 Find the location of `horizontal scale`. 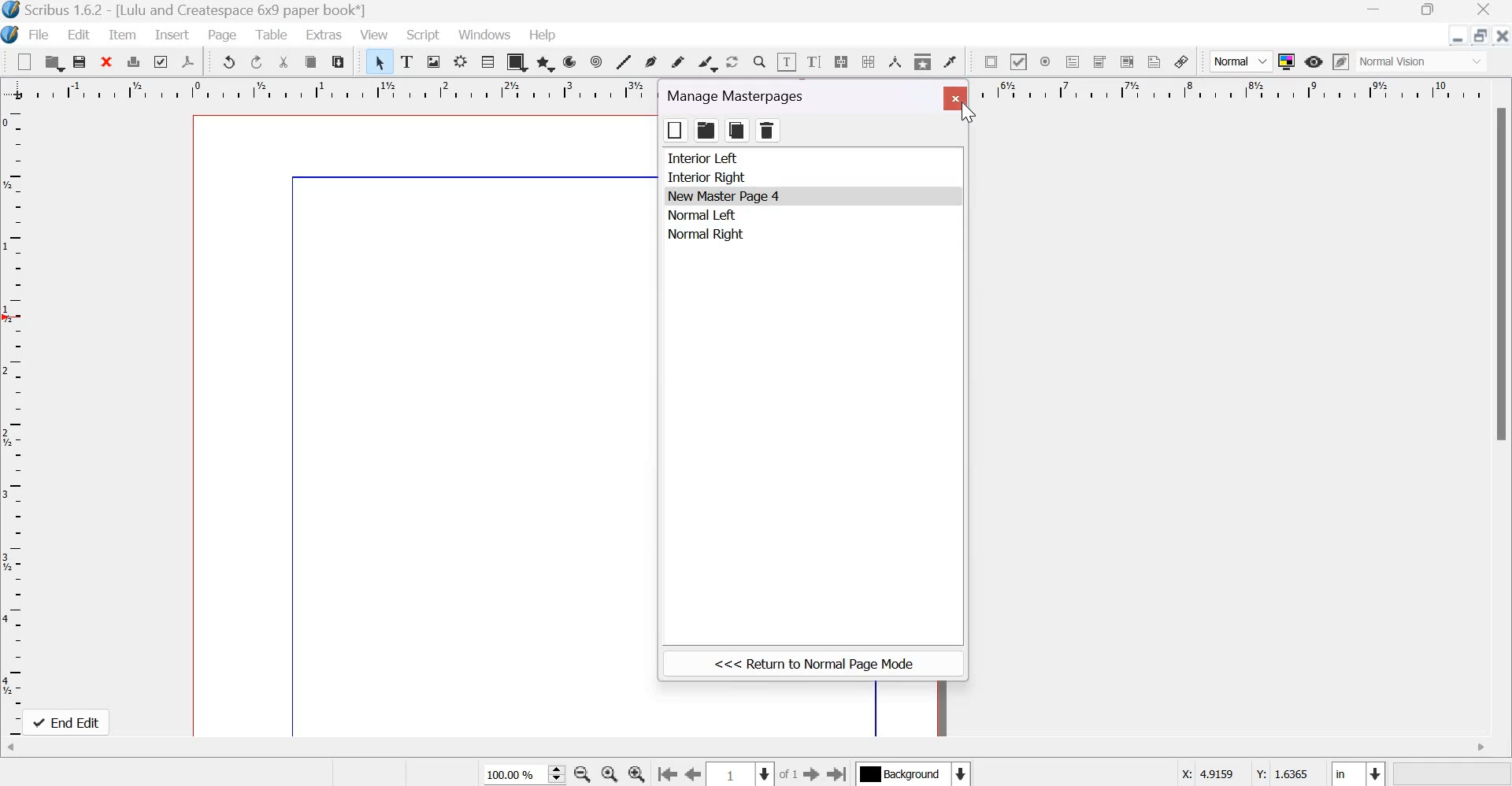

horizontal scale is located at coordinates (346, 91).